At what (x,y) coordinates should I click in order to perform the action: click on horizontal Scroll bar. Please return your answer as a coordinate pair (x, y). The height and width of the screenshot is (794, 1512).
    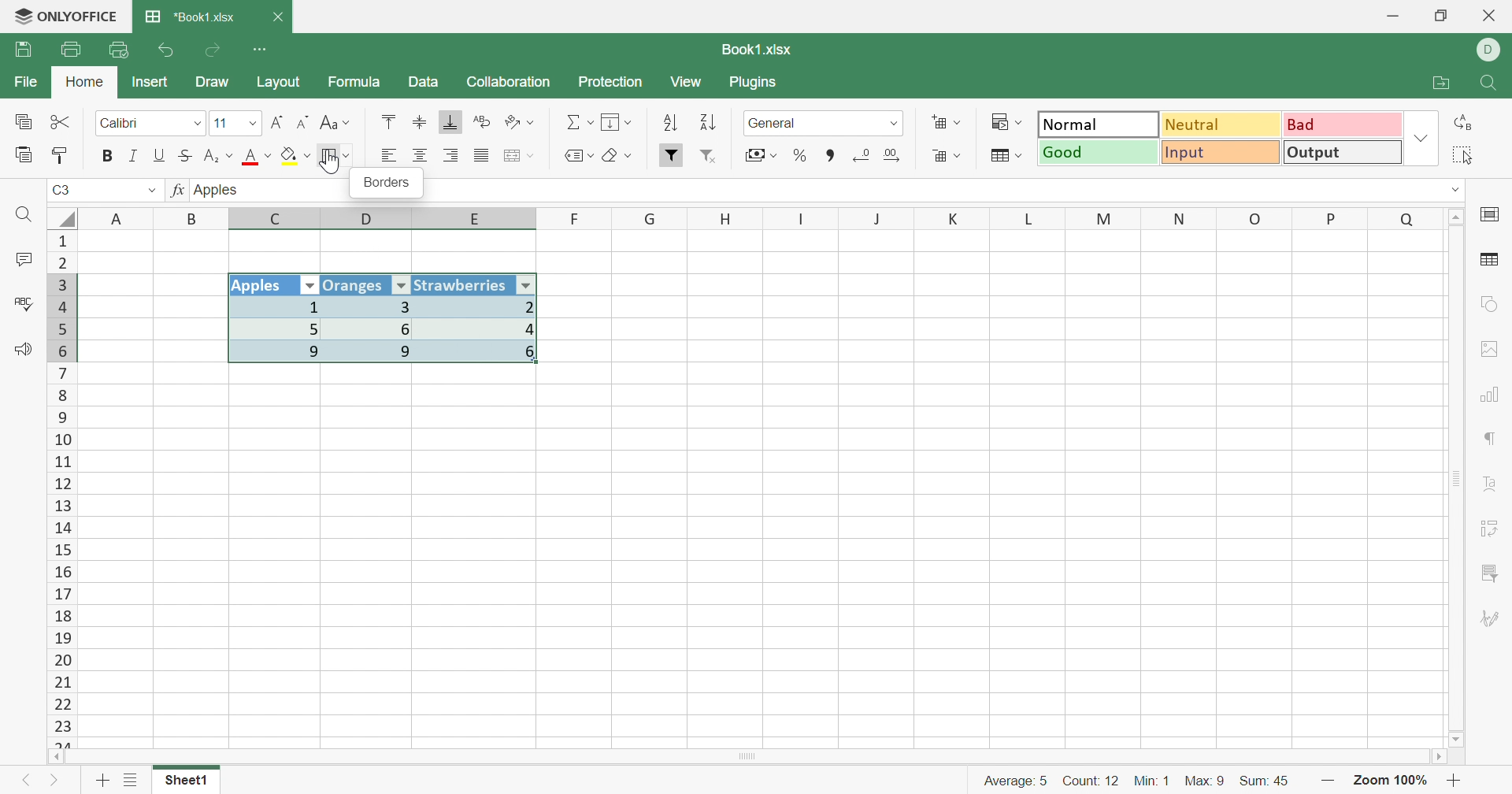
    Looking at the image, I should click on (752, 755).